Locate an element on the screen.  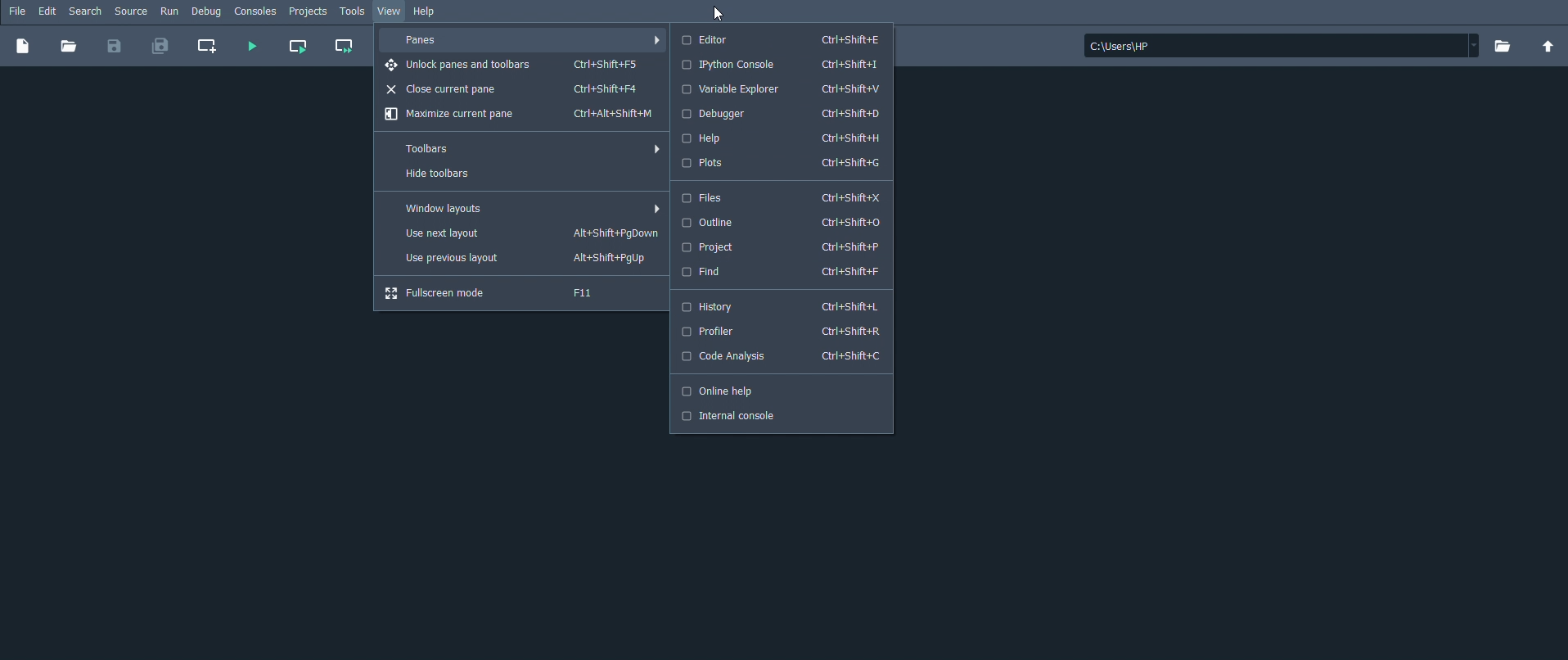
Outline is located at coordinates (784, 223).